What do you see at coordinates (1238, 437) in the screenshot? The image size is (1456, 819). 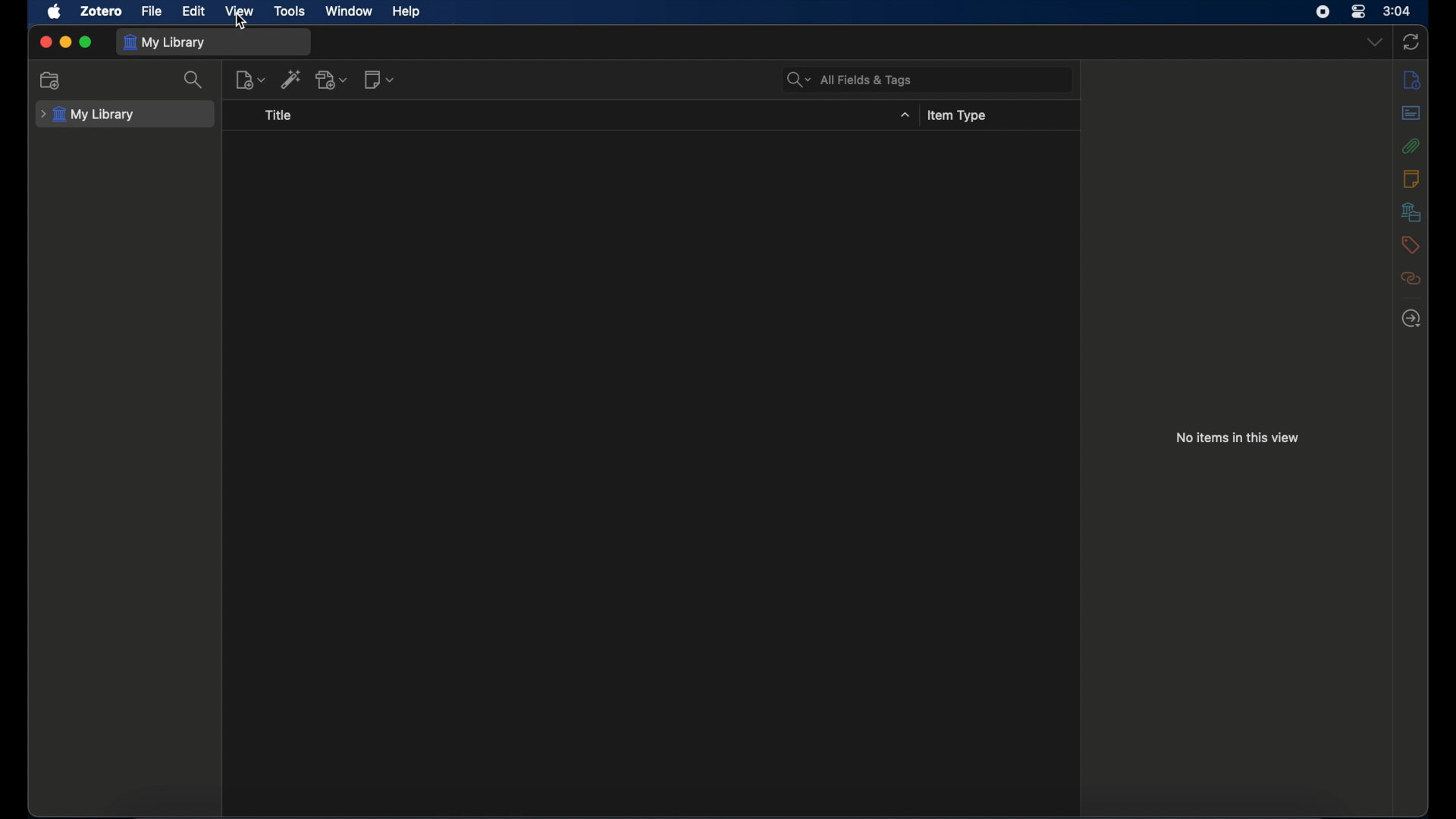 I see `no items in this view` at bounding box center [1238, 437].